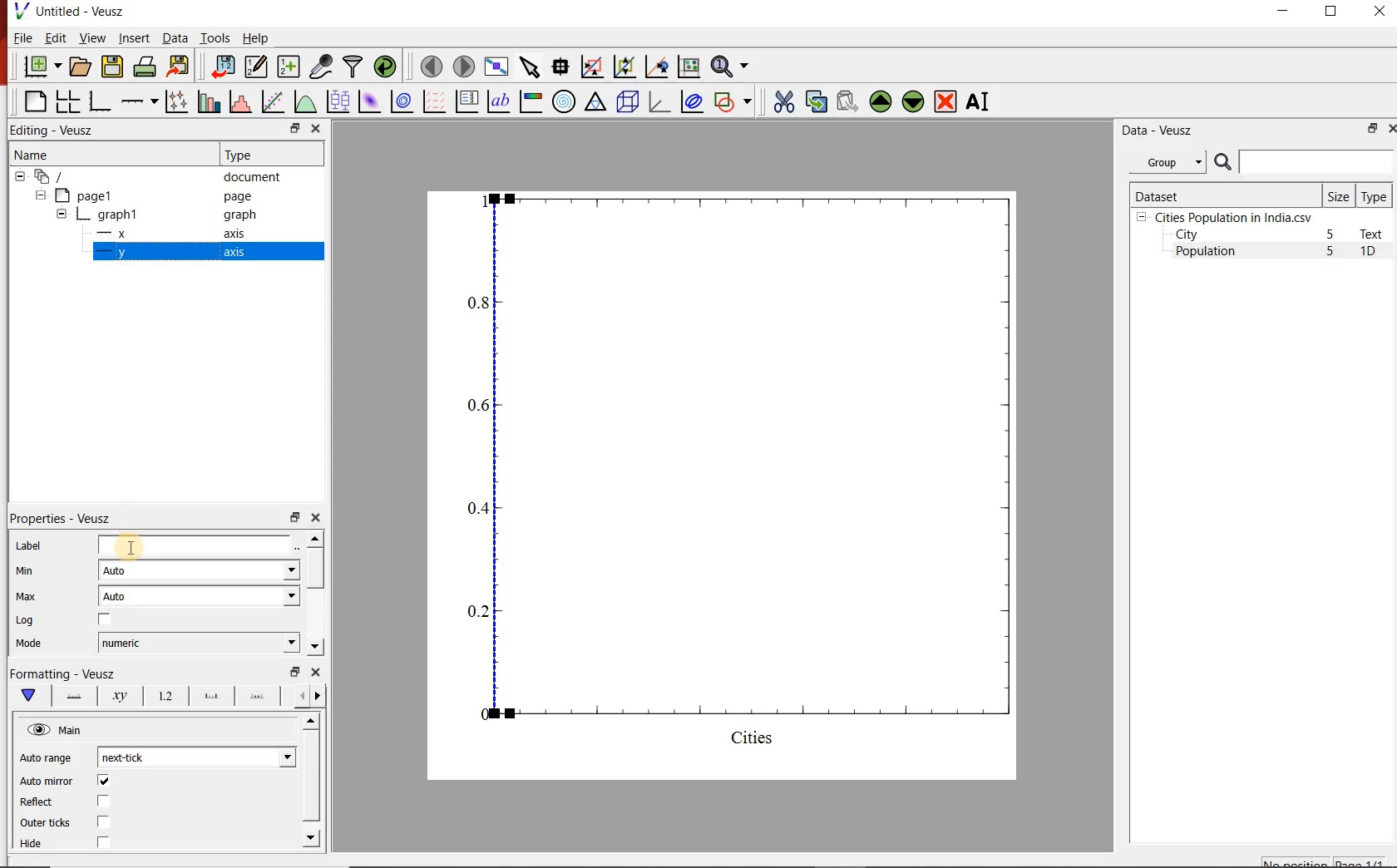 The height and width of the screenshot is (868, 1397). Describe the element at coordinates (781, 101) in the screenshot. I see `cut the selected widget` at that location.